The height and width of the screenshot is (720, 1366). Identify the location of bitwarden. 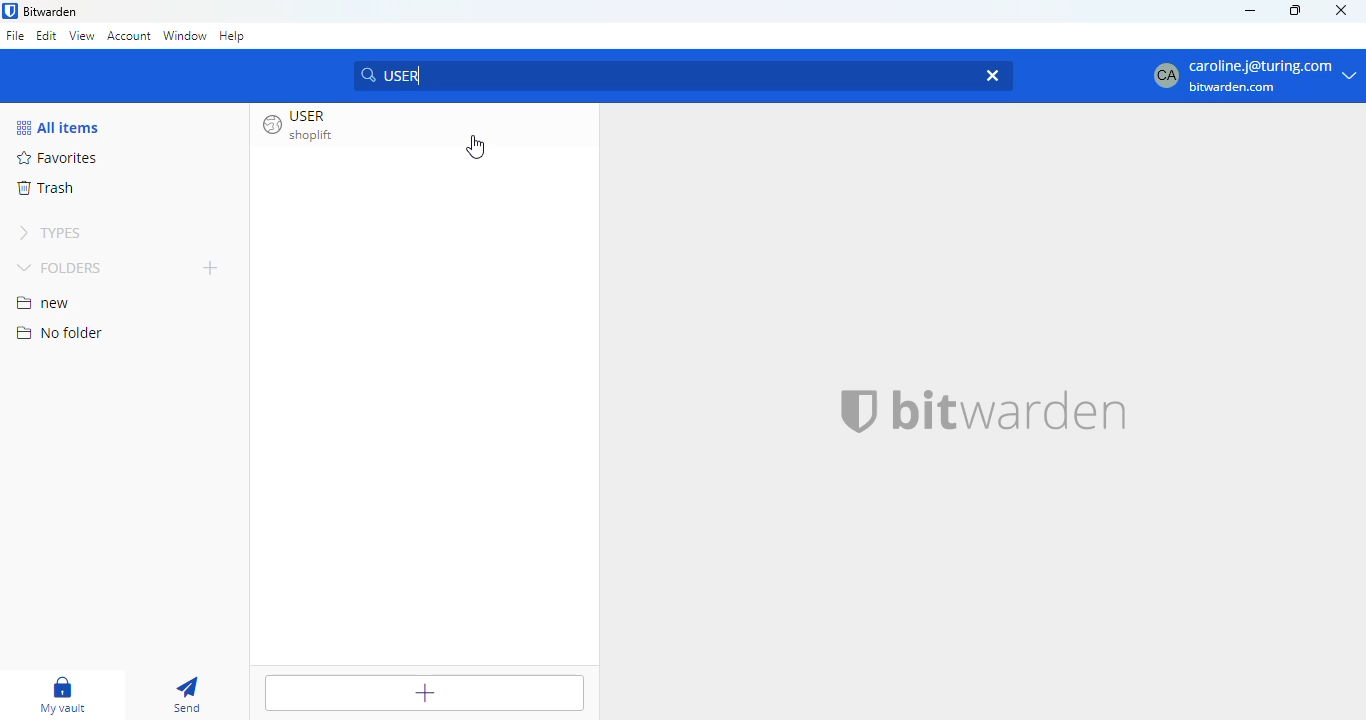
(51, 11).